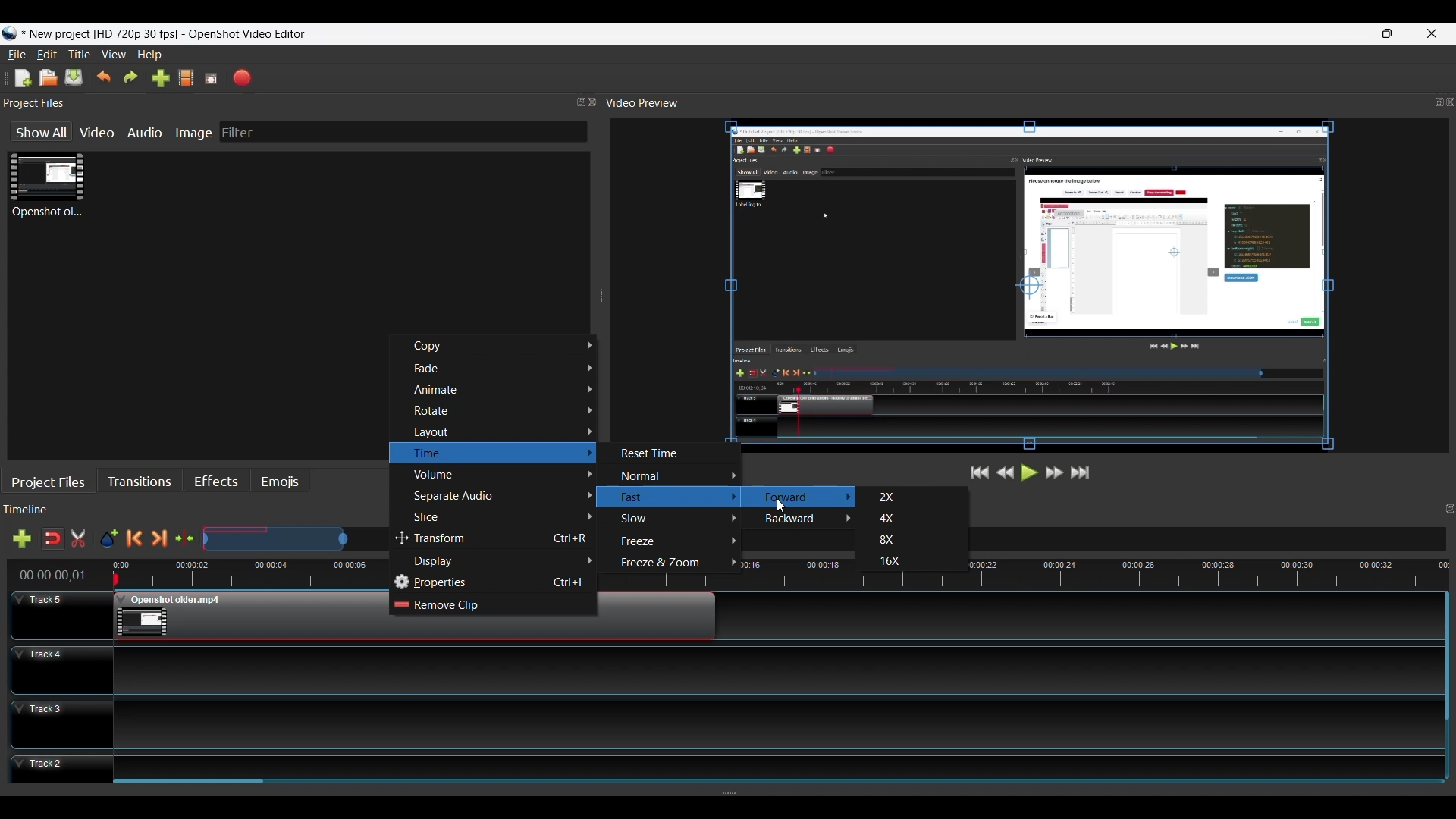  I want to click on Horizontal Scroll bar, so click(192, 785).